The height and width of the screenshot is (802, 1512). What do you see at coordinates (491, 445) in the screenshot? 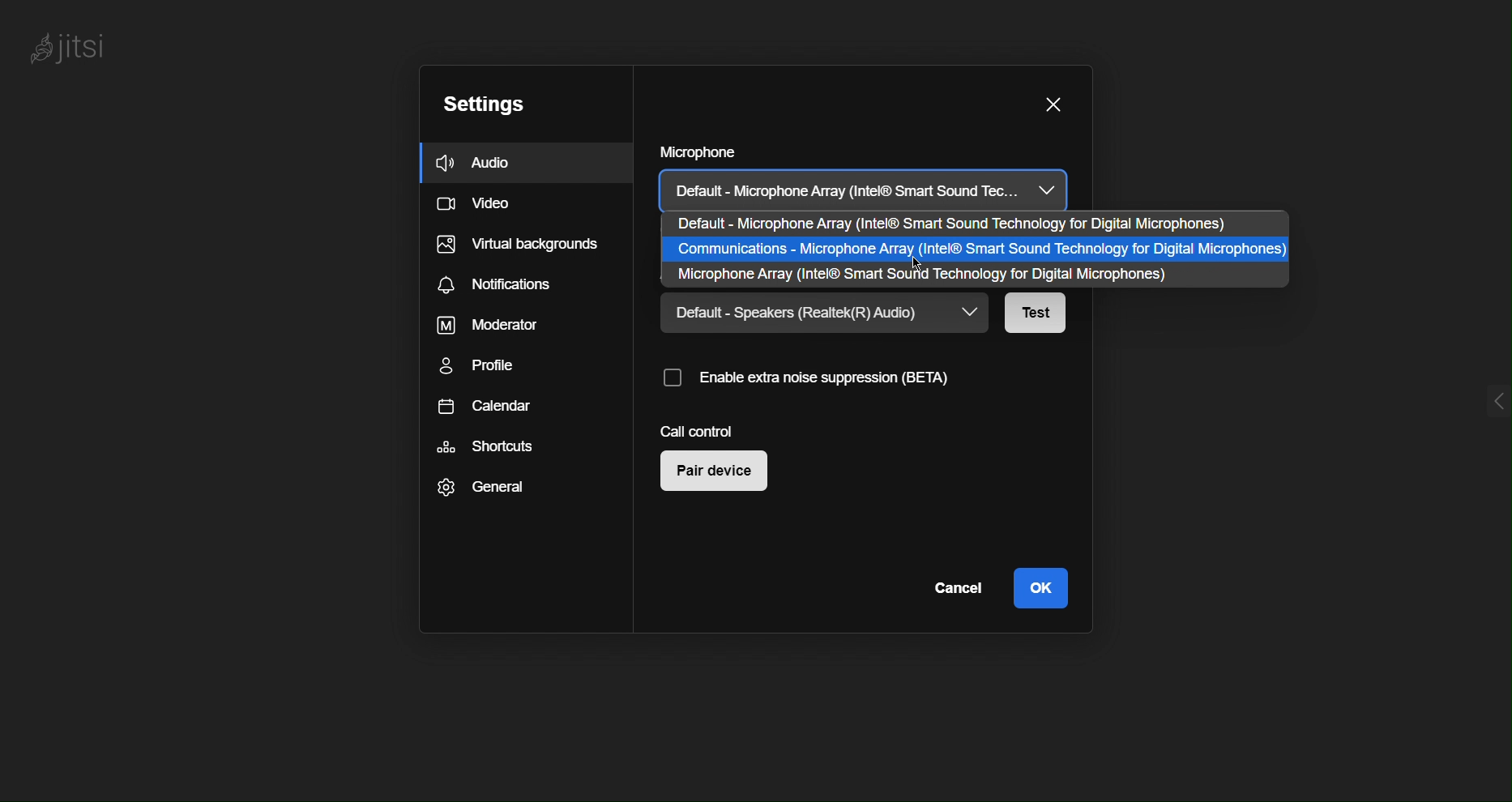
I see `Shortcuts` at bounding box center [491, 445].